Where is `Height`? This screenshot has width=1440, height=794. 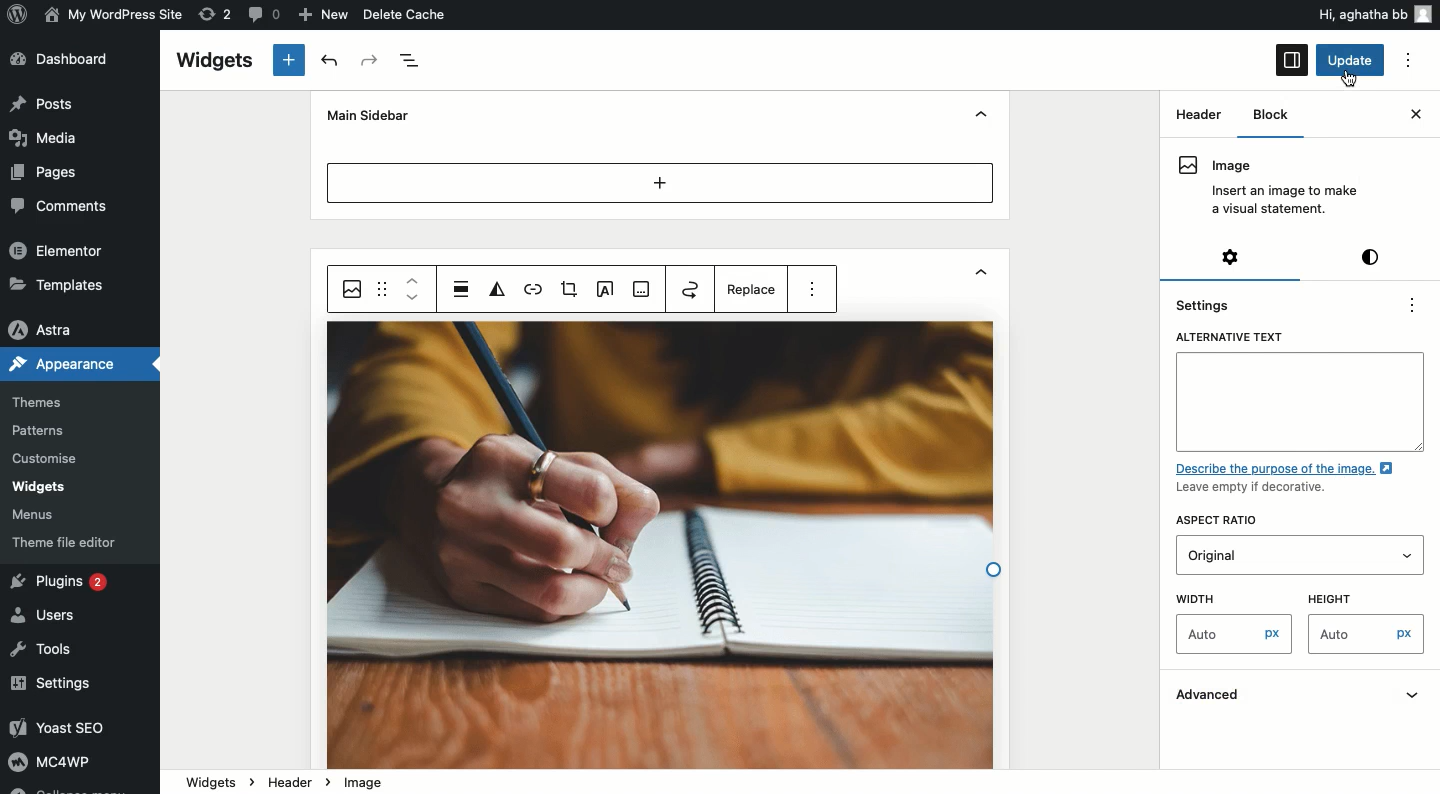 Height is located at coordinates (1354, 596).